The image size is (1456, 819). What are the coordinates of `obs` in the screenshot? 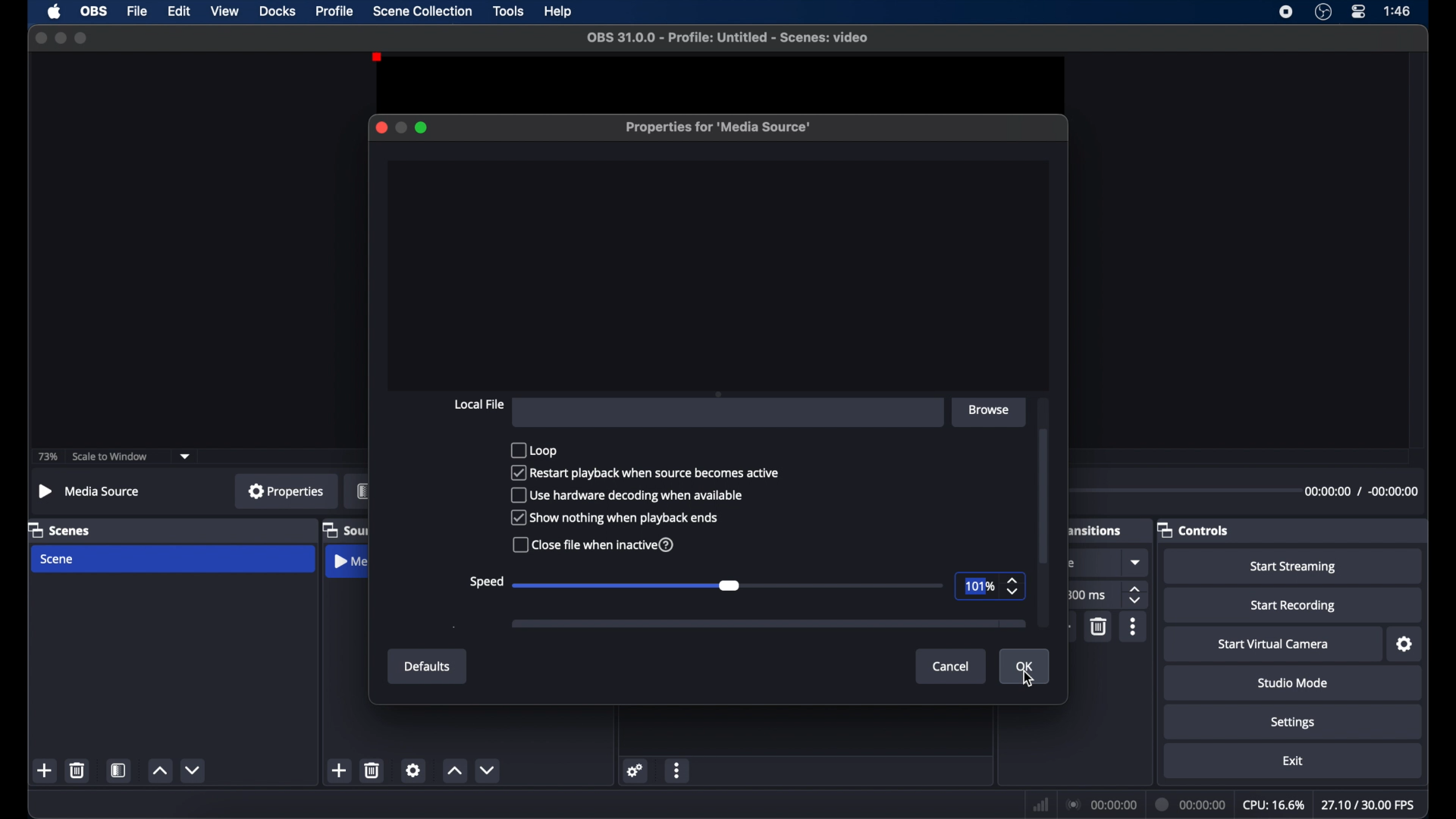 It's located at (95, 11).